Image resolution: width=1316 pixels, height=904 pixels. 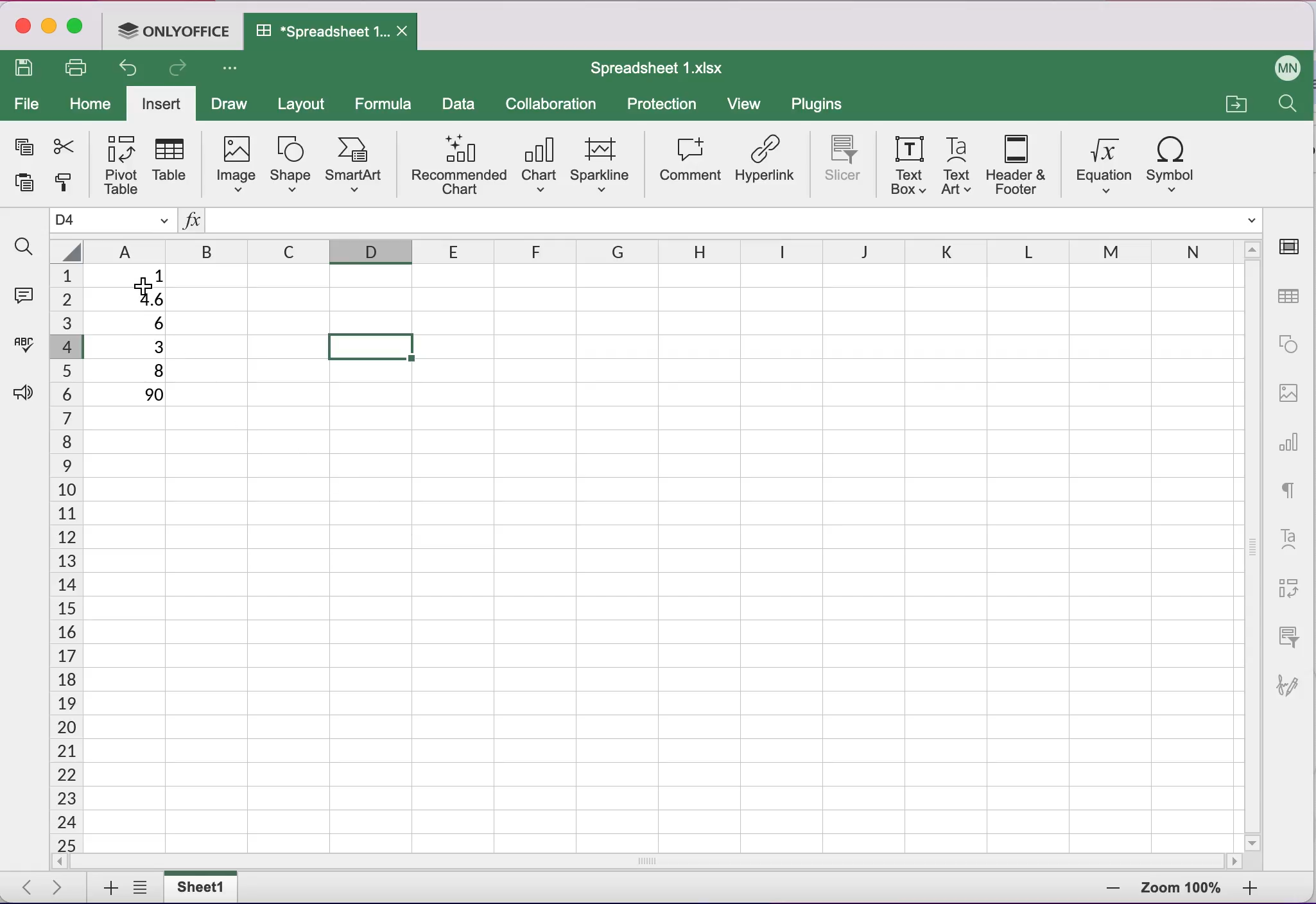 I want to click on layout, so click(x=307, y=103).